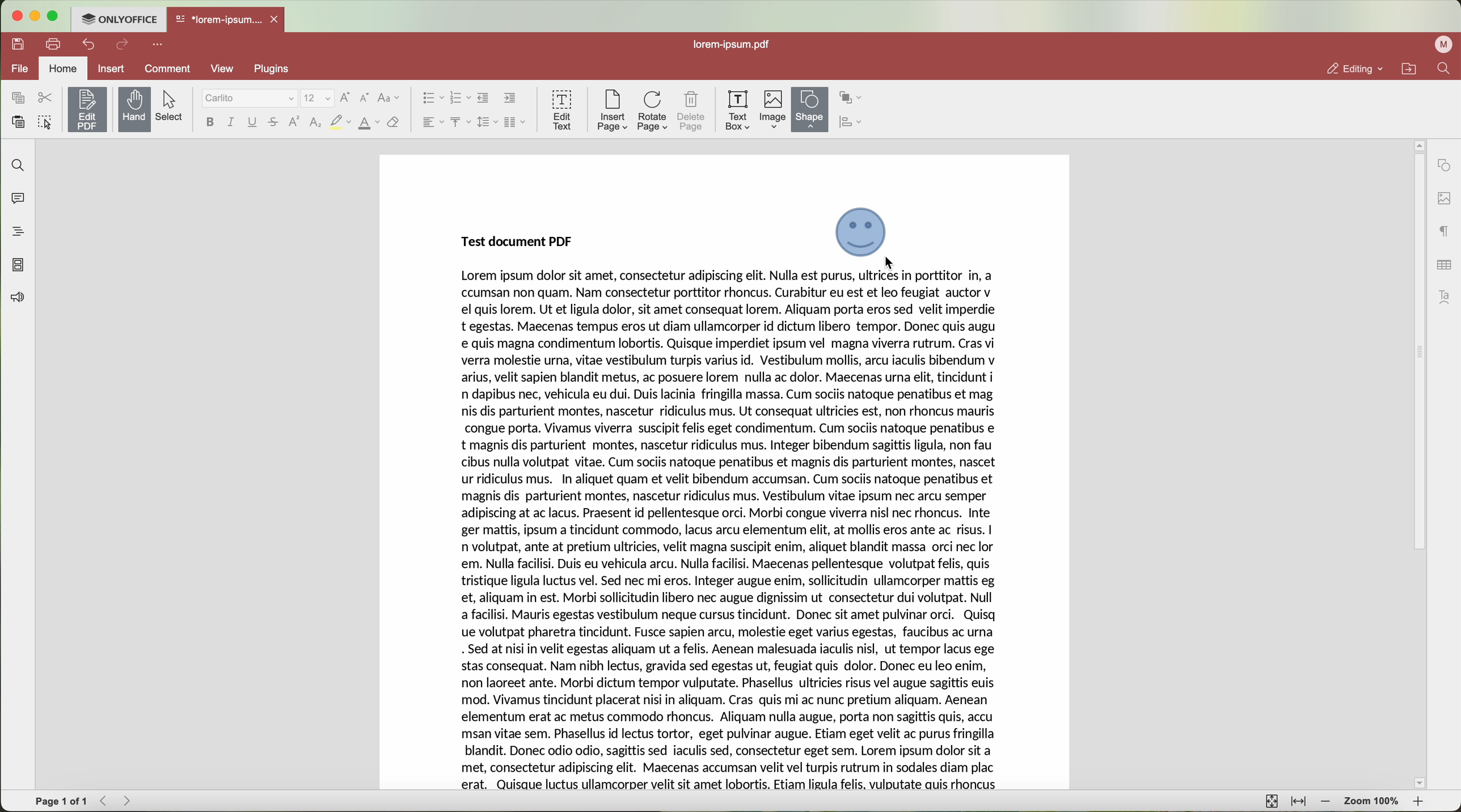 The image size is (1461, 812). I want to click on Test Document PDF, so click(513, 240).